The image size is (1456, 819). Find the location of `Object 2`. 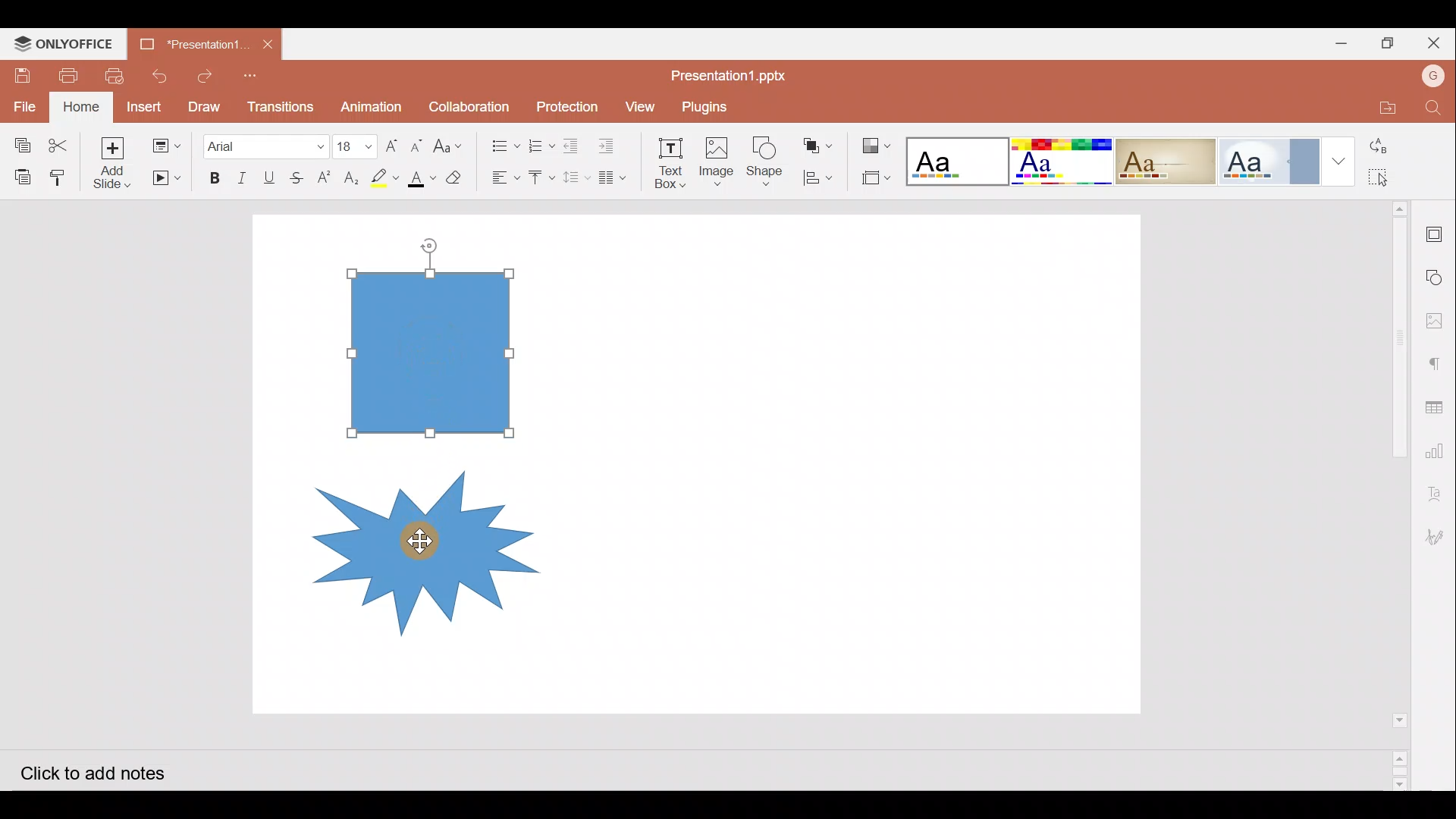

Object 2 is located at coordinates (418, 546).